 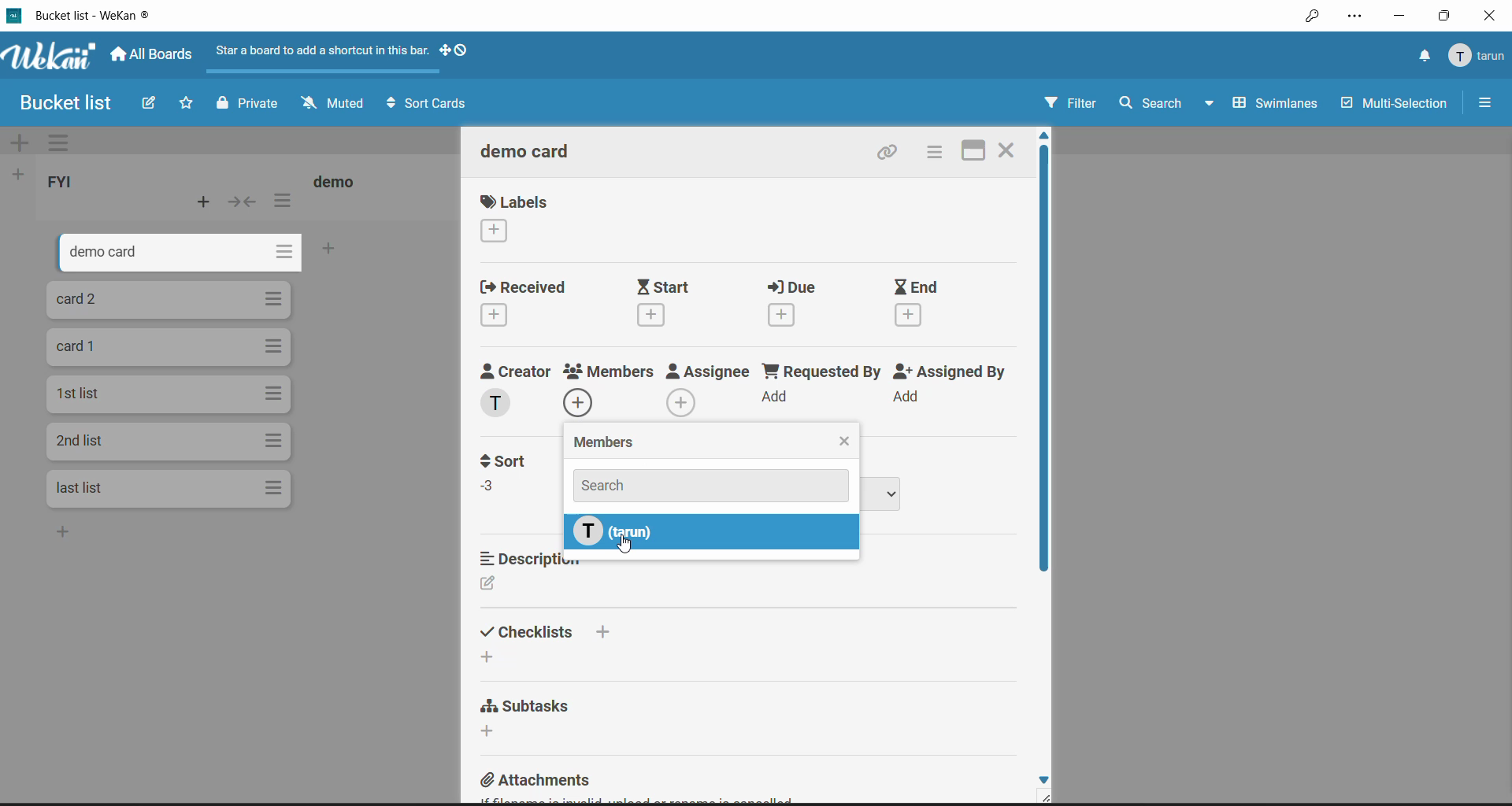 I want to click on edit, so click(x=151, y=104).